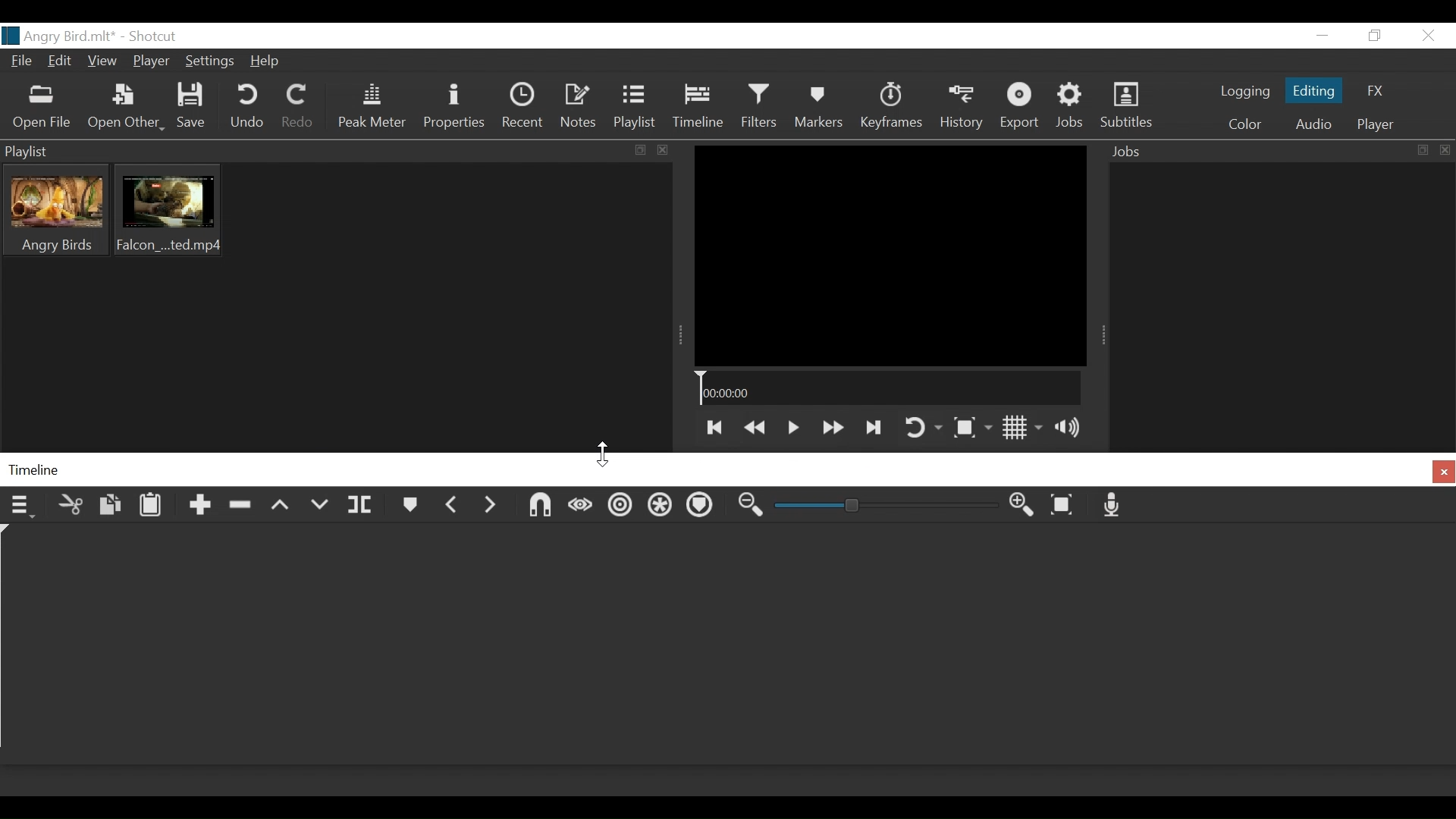  Describe the element at coordinates (127, 109) in the screenshot. I see `Open Other` at that location.